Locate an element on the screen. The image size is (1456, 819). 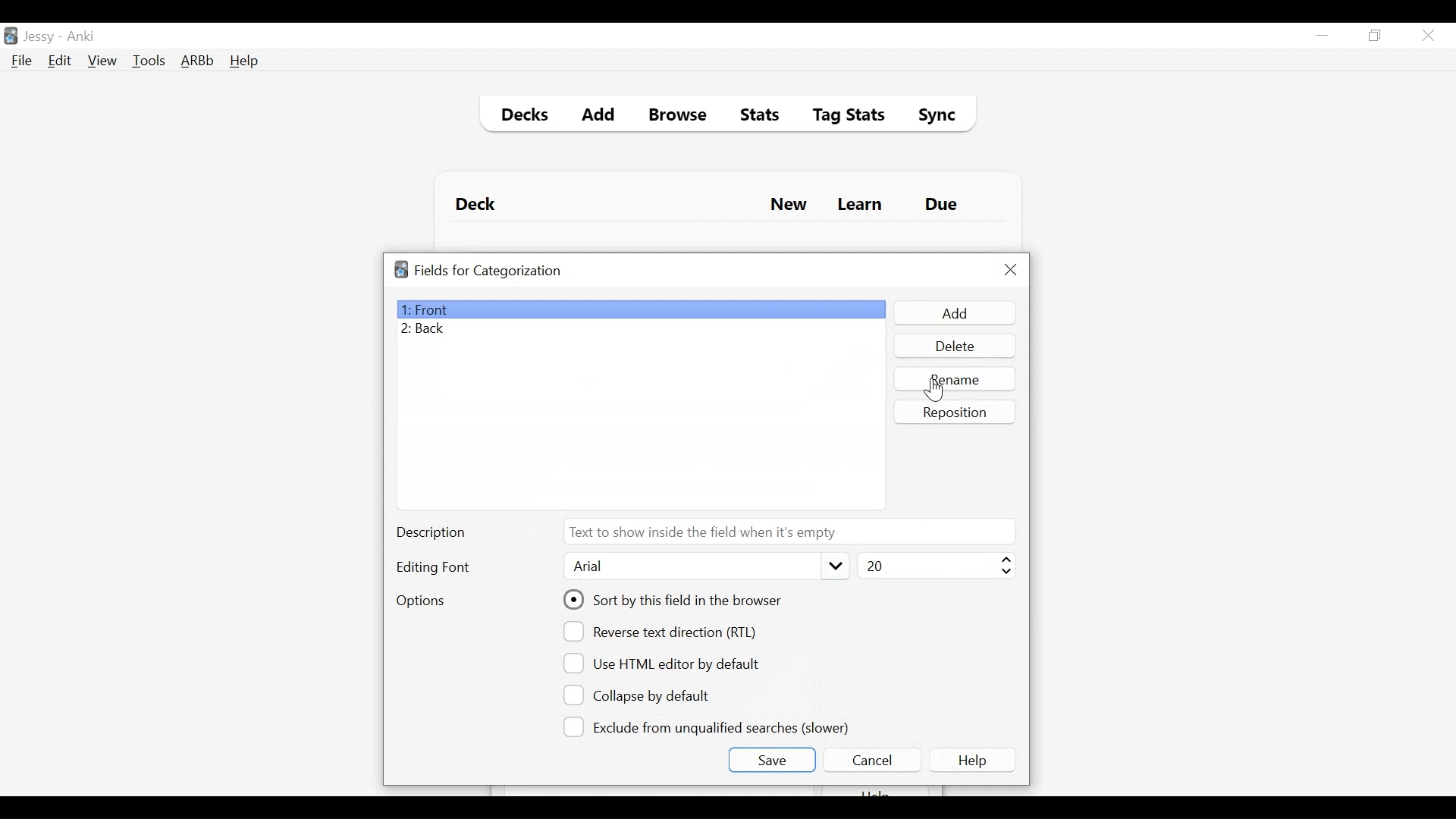
Help is located at coordinates (975, 760).